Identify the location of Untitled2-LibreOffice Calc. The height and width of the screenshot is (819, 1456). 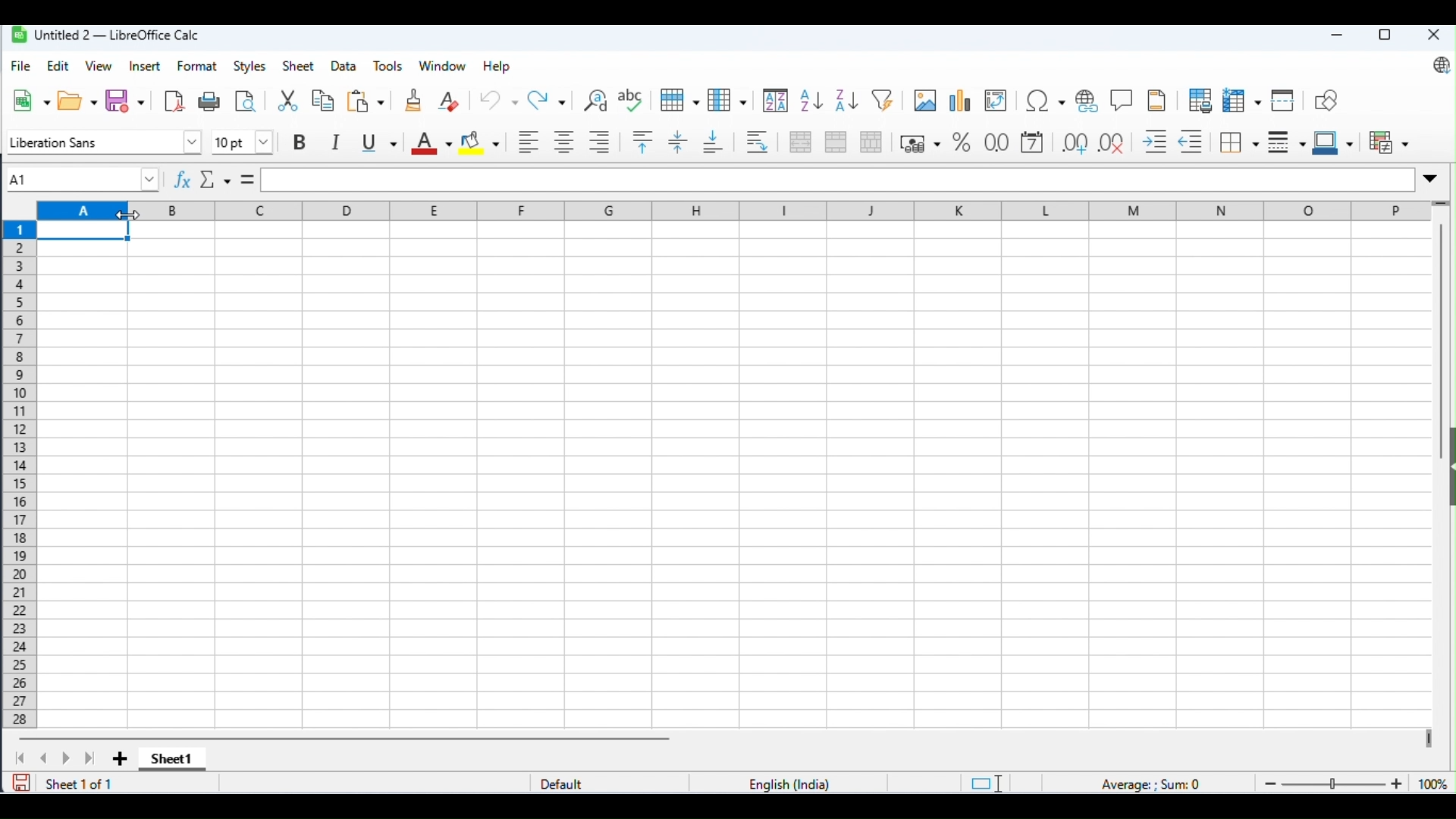
(107, 33).